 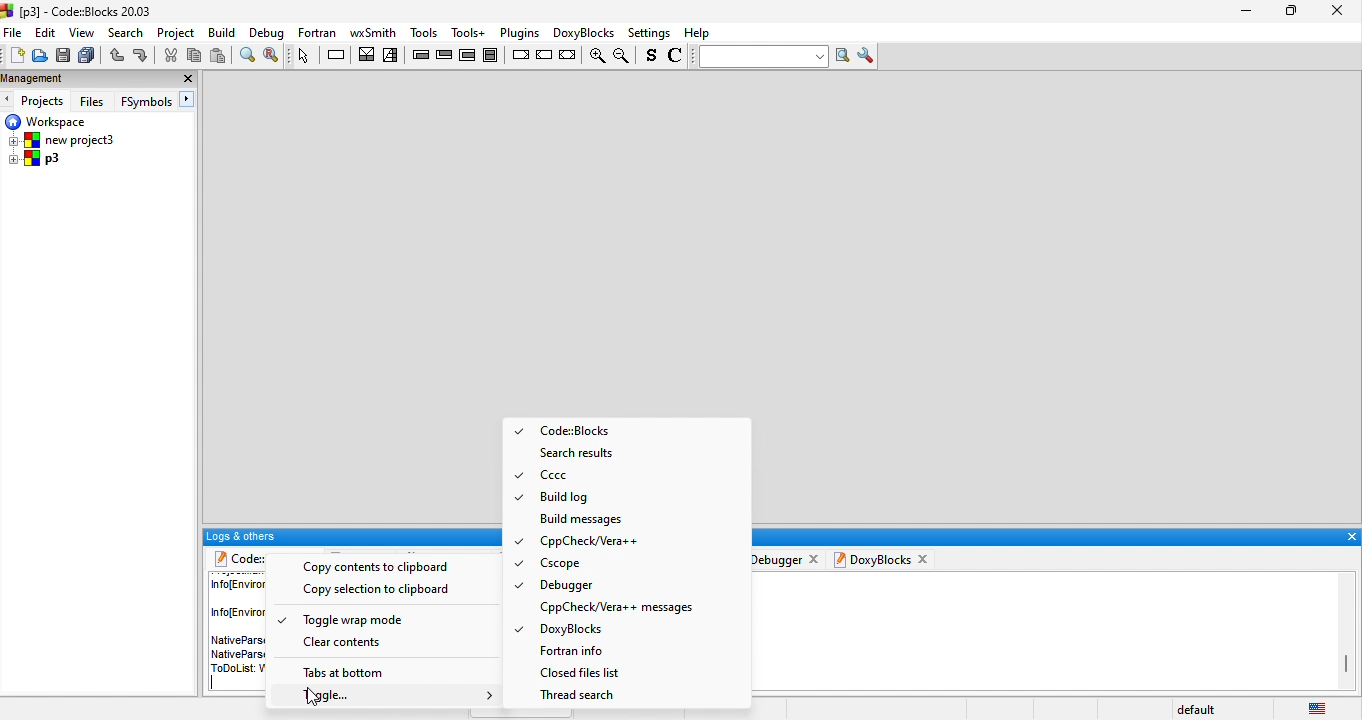 What do you see at coordinates (517, 33) in the screenshot?
I see `plugins` at bounding box center [517, 33].